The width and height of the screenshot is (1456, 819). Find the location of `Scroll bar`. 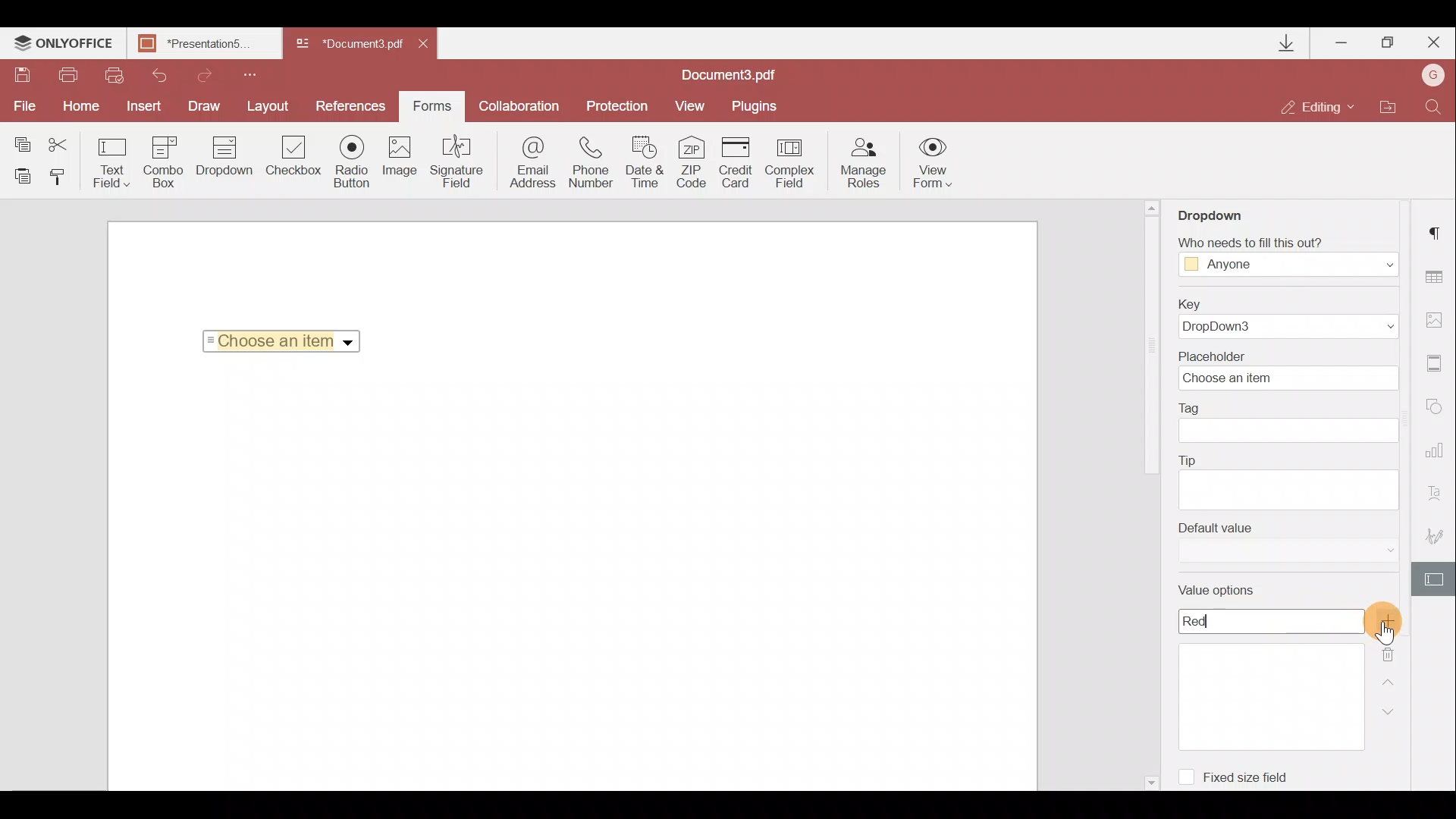

Scroll bar is located at coordinates (1150, 350).